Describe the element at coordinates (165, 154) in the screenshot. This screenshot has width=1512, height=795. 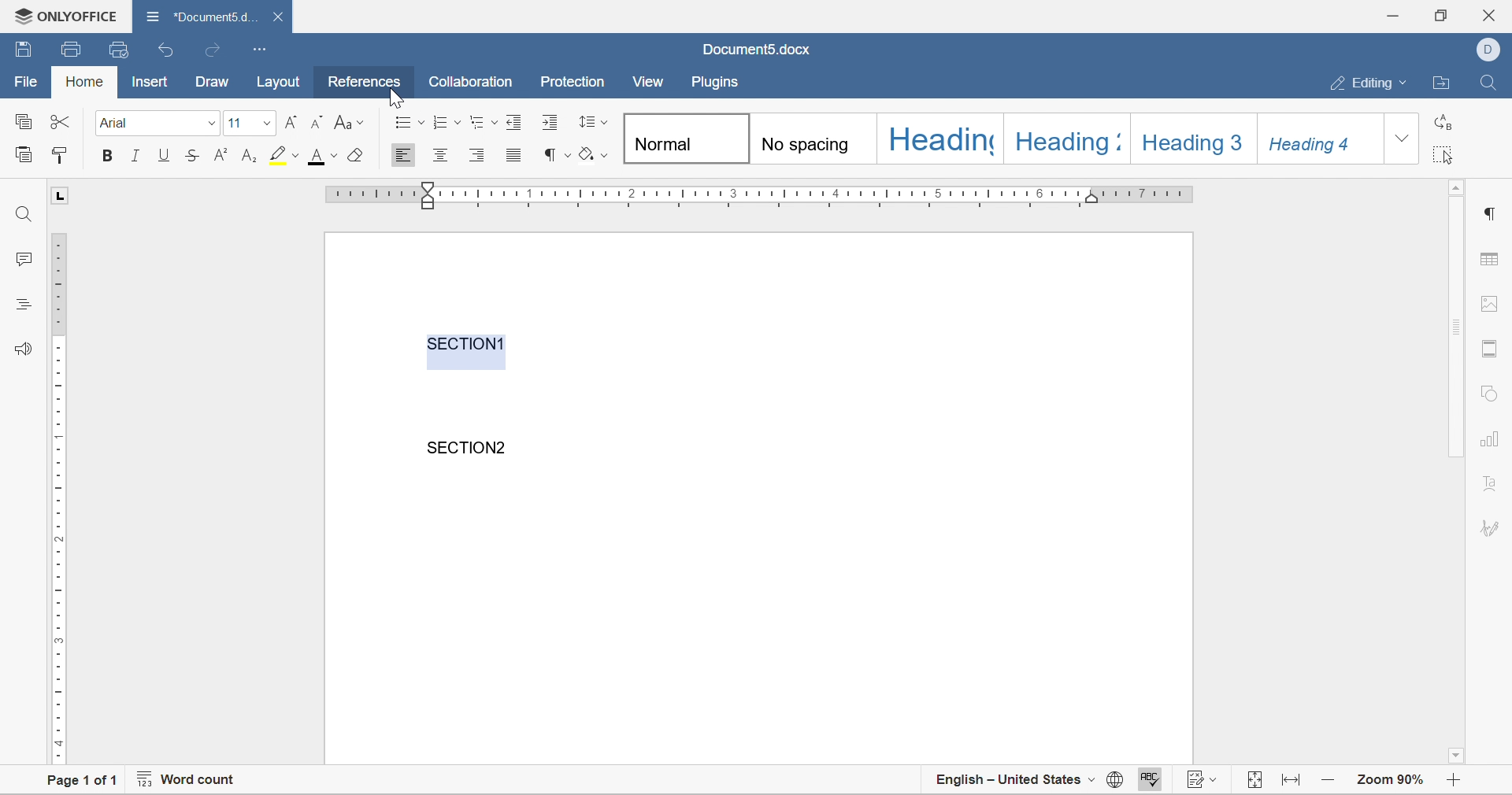
I see `underline` at that location.